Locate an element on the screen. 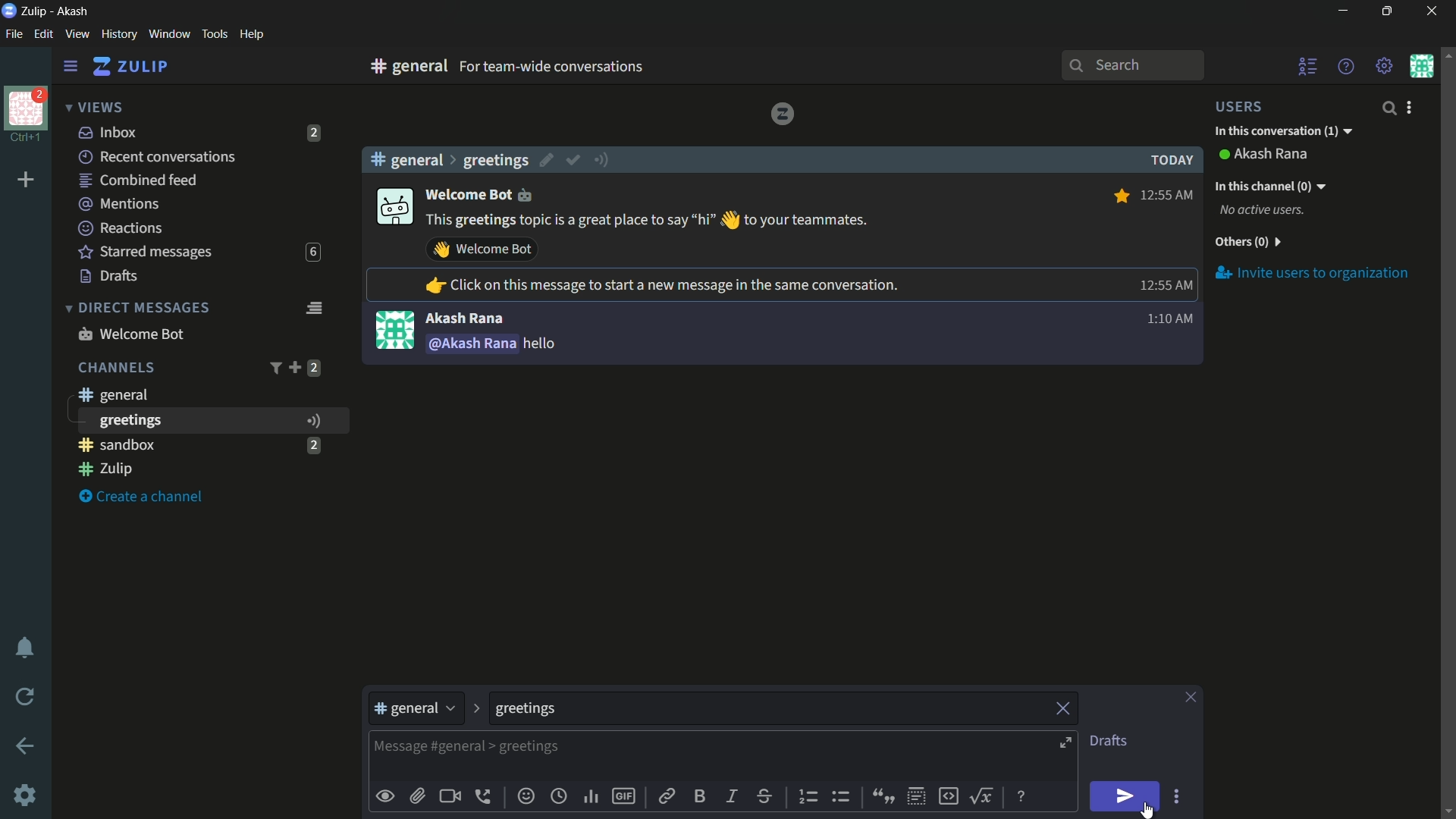  Akash rana is located at coordinates (1272, 155).